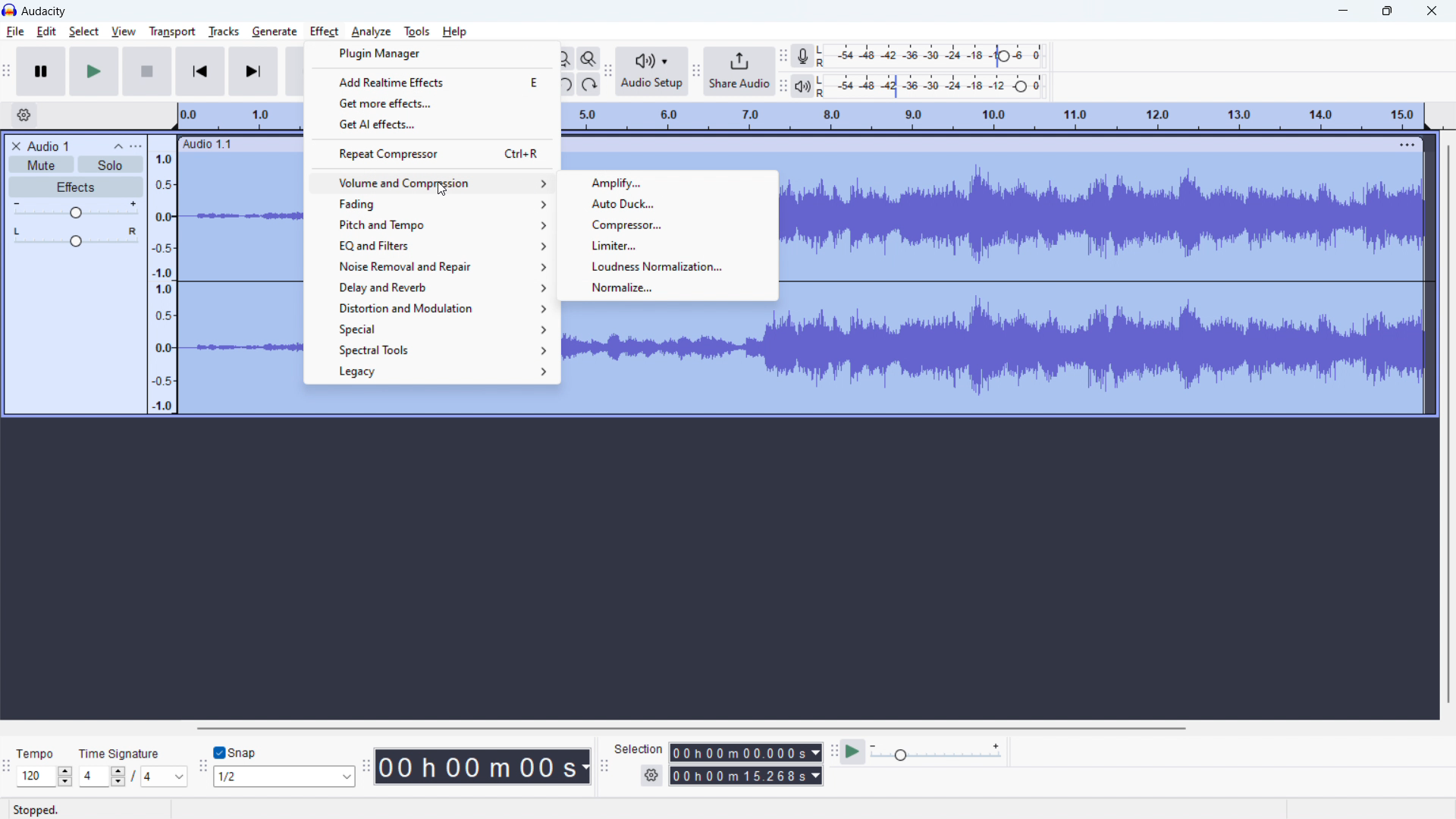 The width and height of the screenshot is (1456, 819). What do you see at coordinates (417, 32) in the screenshot?
I see `tools` at bounding box center [417, 32].